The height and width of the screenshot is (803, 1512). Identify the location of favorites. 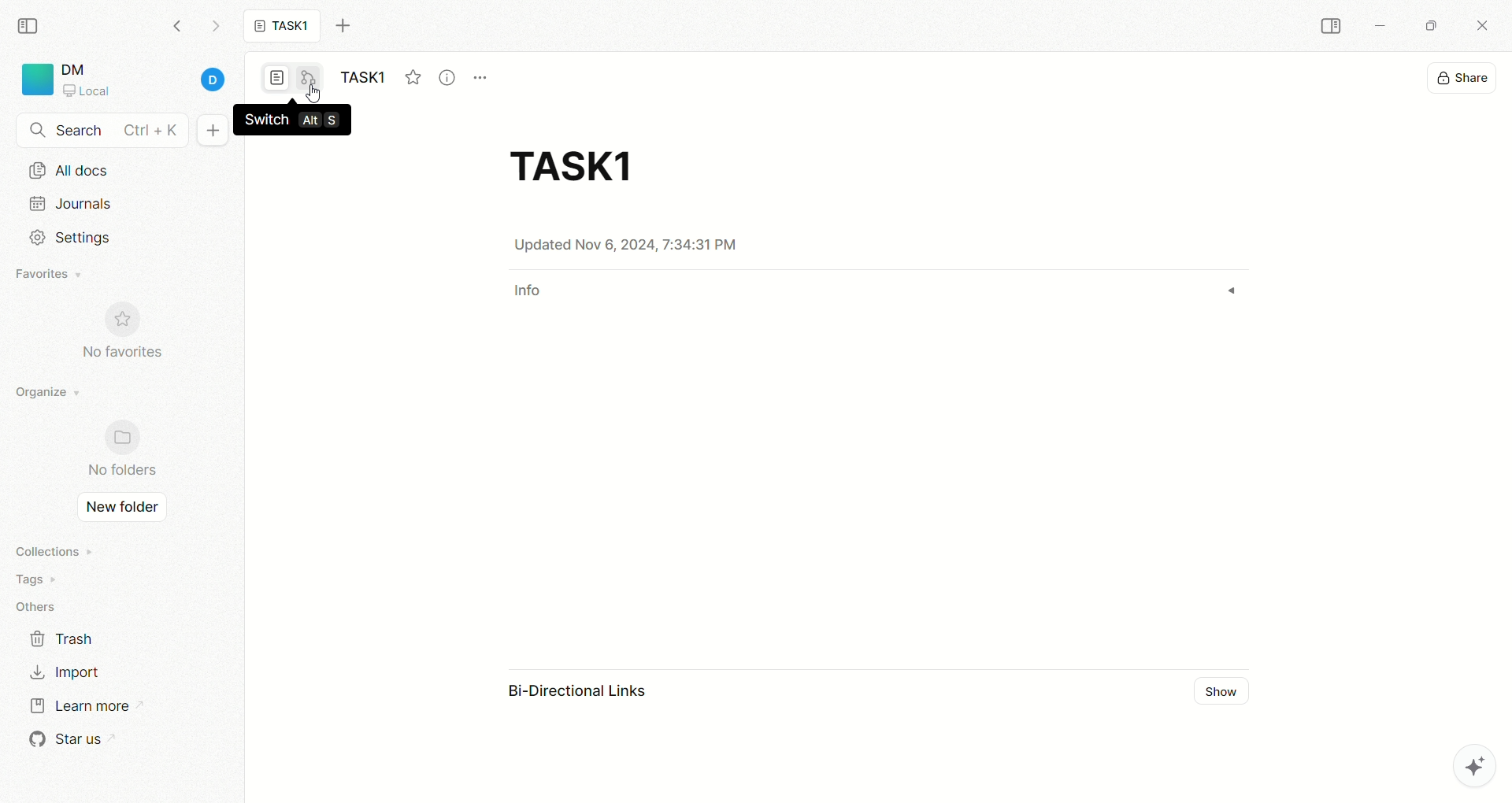
(414, 77).